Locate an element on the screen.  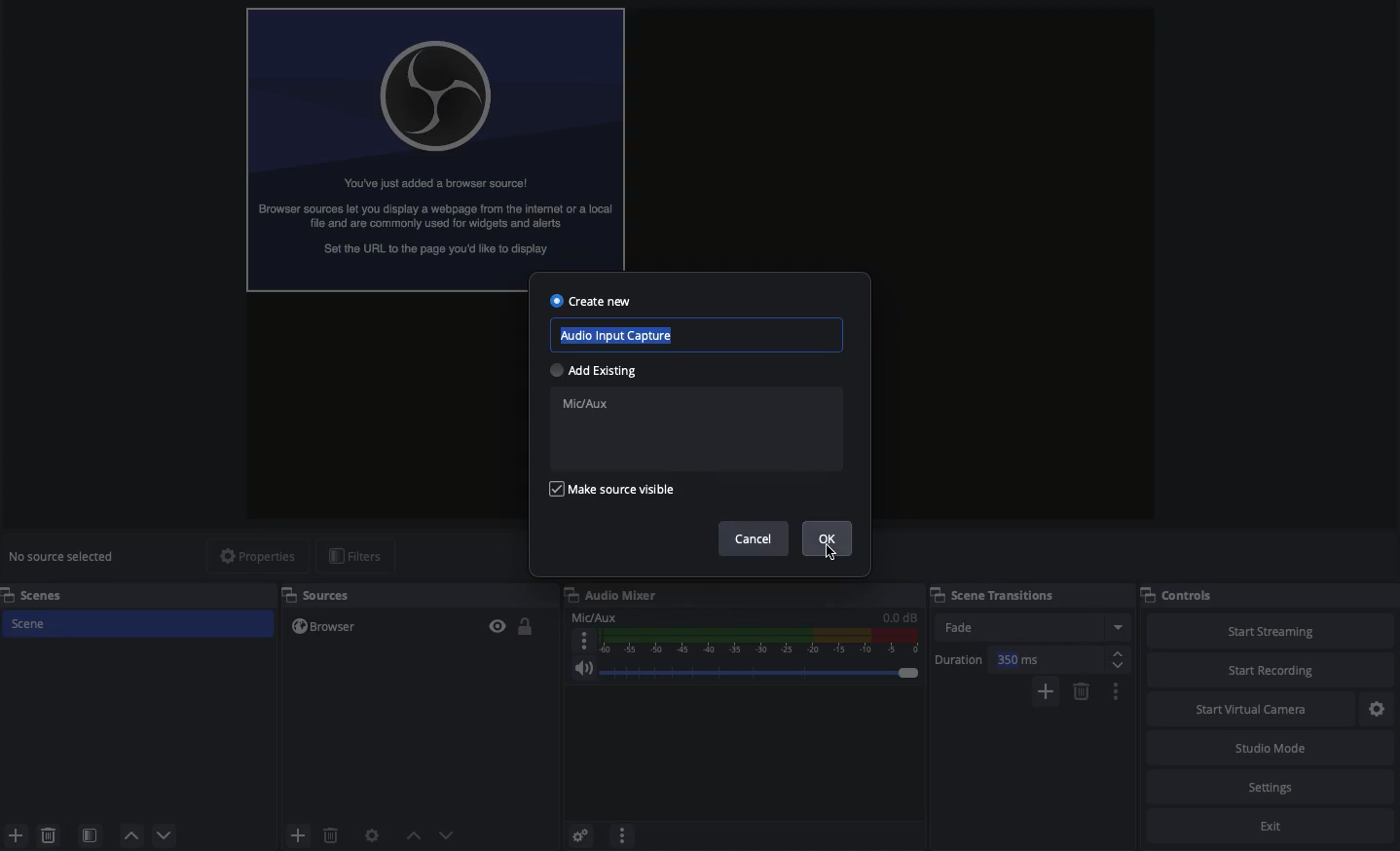
Scene transition is located at coordinates (1026, 595).